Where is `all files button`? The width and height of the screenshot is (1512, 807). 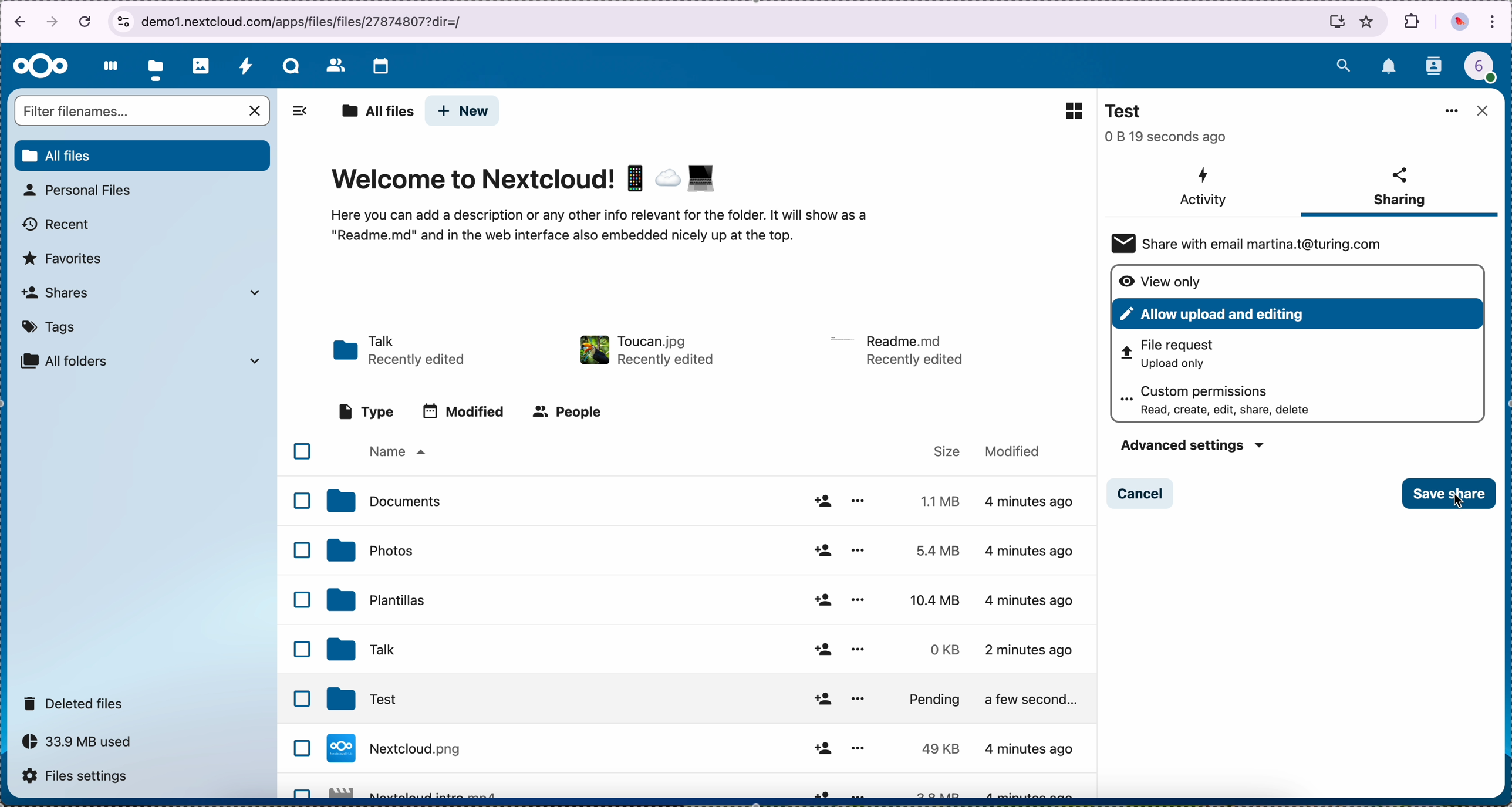
all files button is located at coordinates (144, 156).